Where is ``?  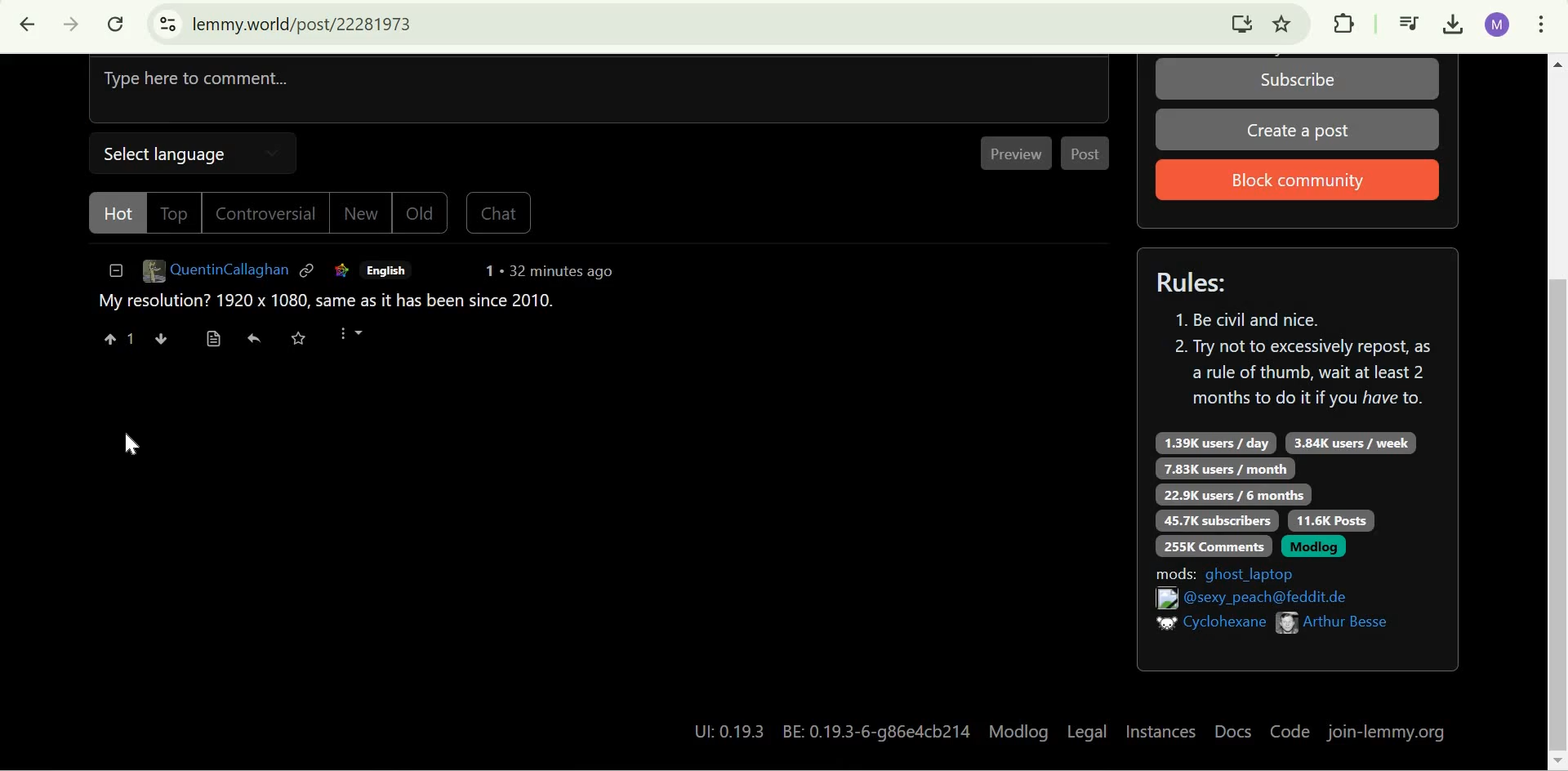  is located at coordinates (1160, 622).